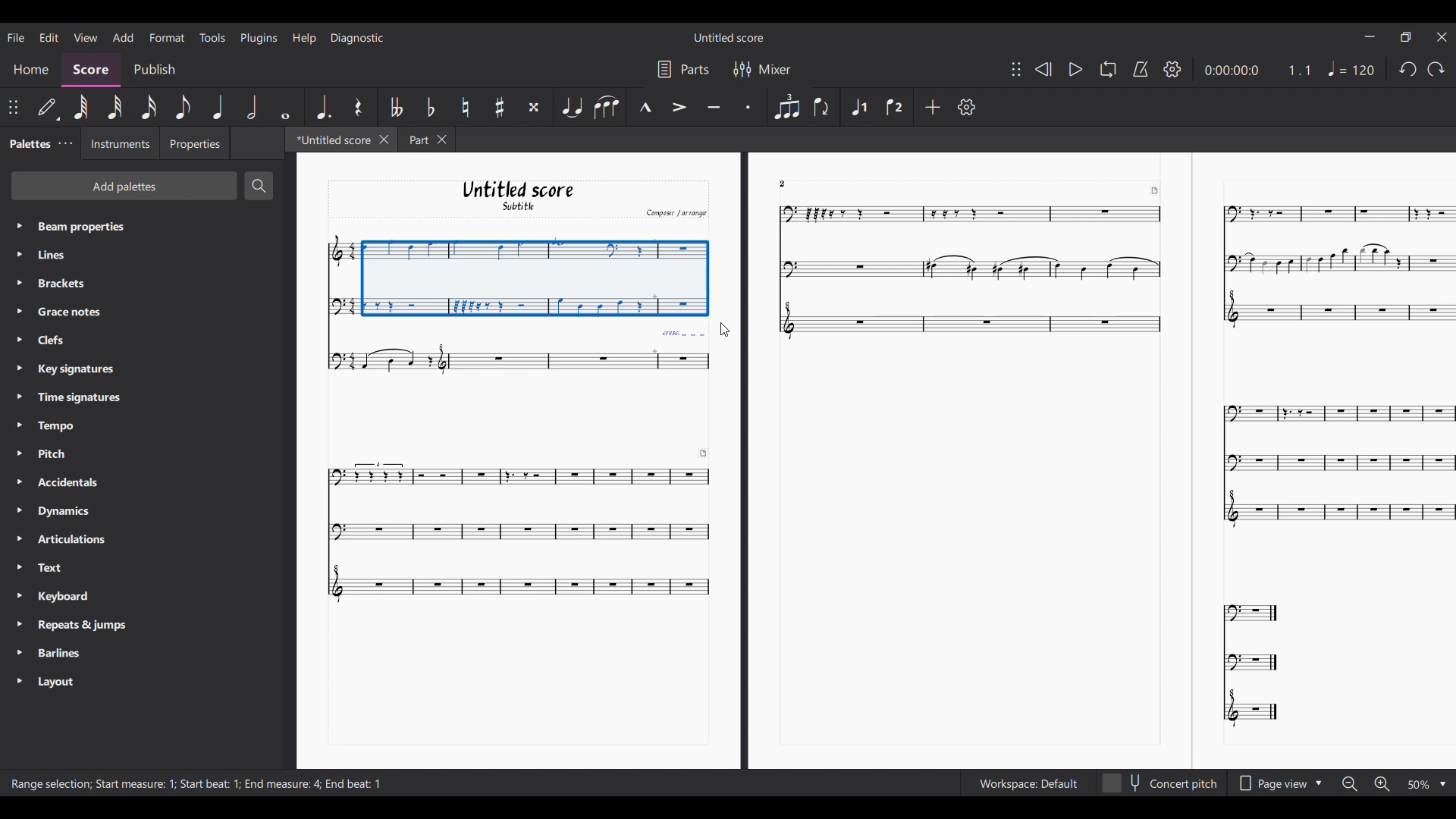 This screenshot has height=819, width=1456. What do you see at coordinates (354, 783) in the screenshot?
I see `End beat :1` at bounding box center [354, 783].